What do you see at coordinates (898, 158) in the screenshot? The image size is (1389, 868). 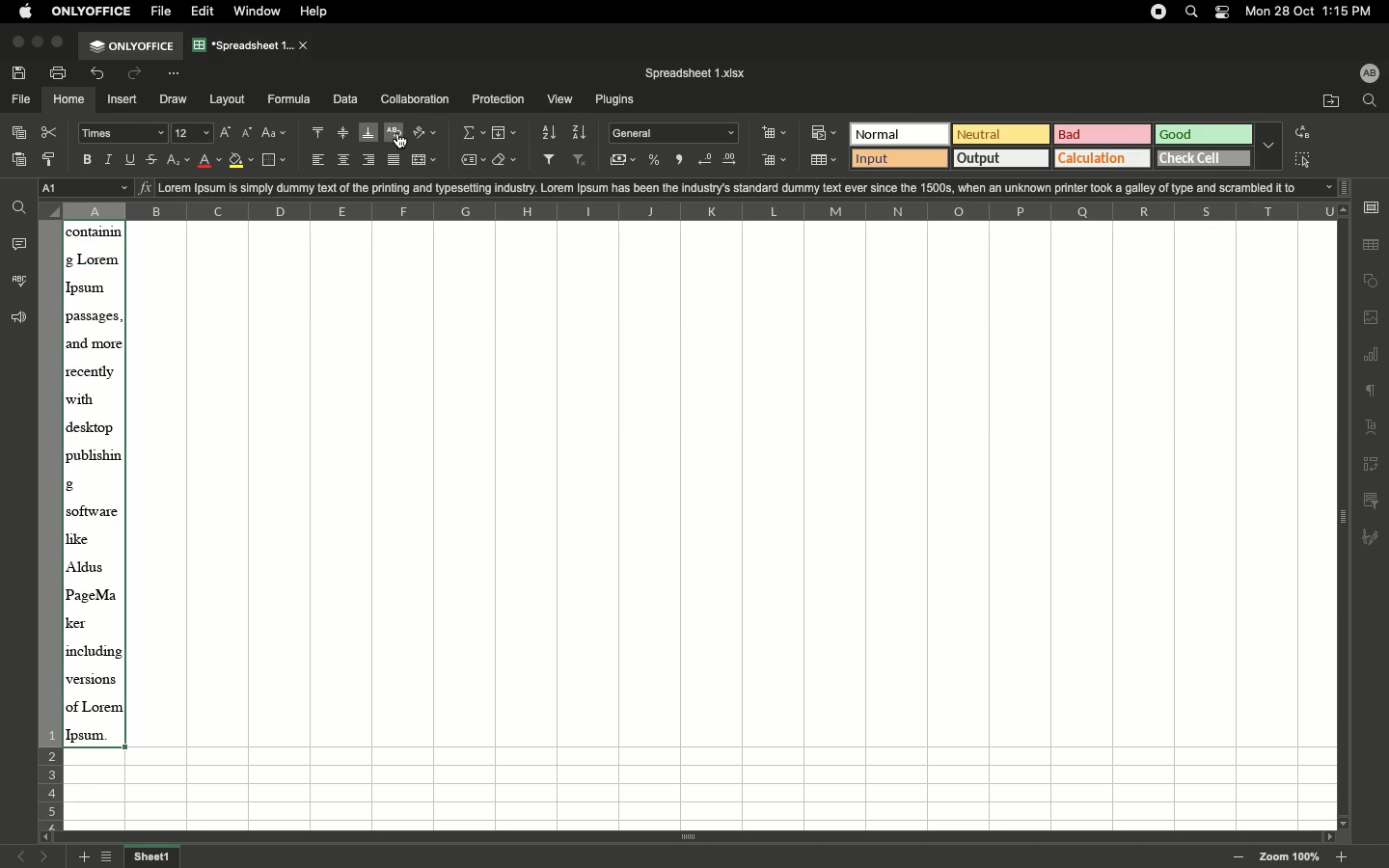 I see `Input` at bounding box center [898, 158].